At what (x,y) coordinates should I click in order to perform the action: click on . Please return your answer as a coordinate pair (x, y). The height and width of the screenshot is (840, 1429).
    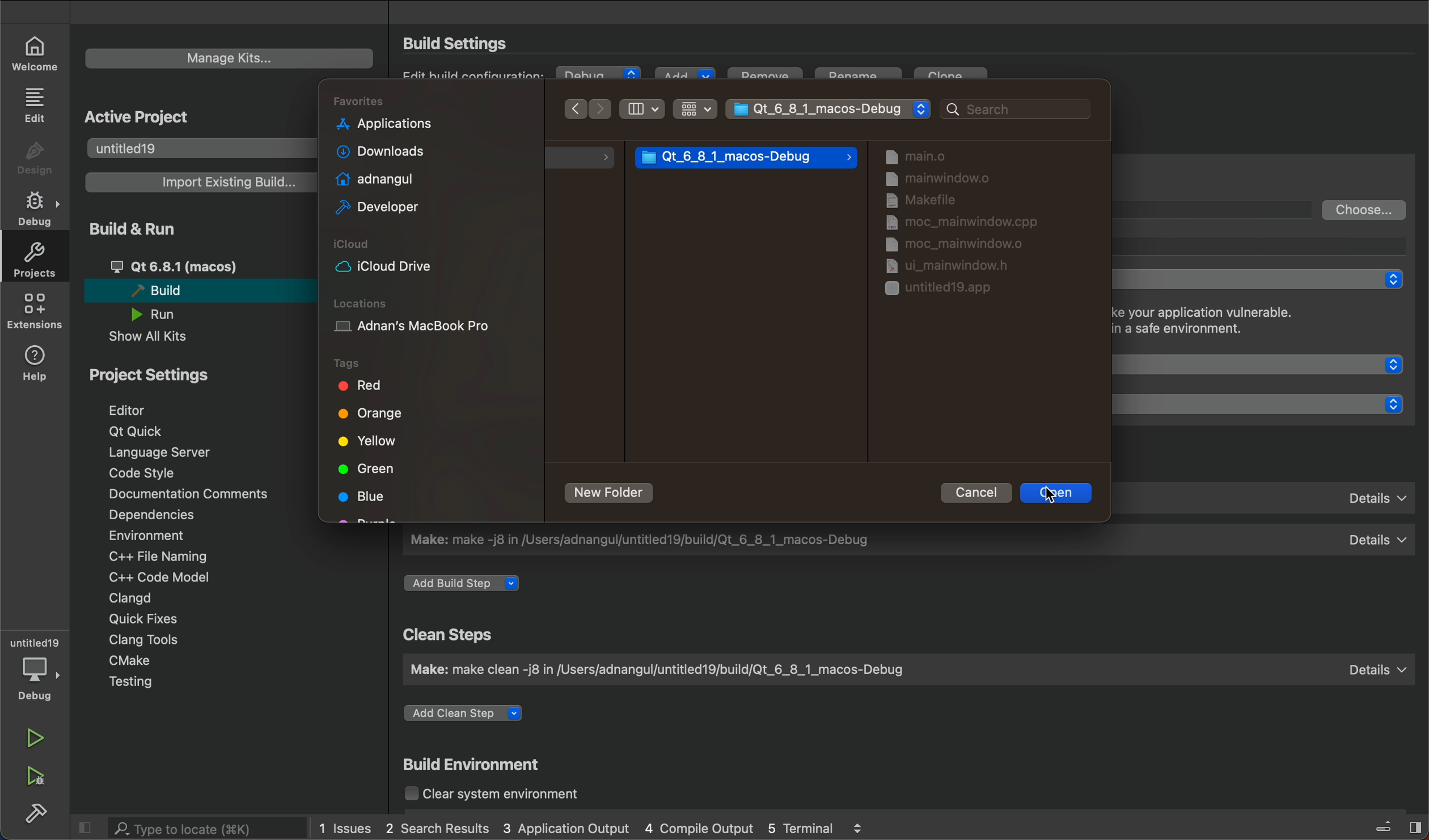
    Looking at the image, I should click on (644, 109).